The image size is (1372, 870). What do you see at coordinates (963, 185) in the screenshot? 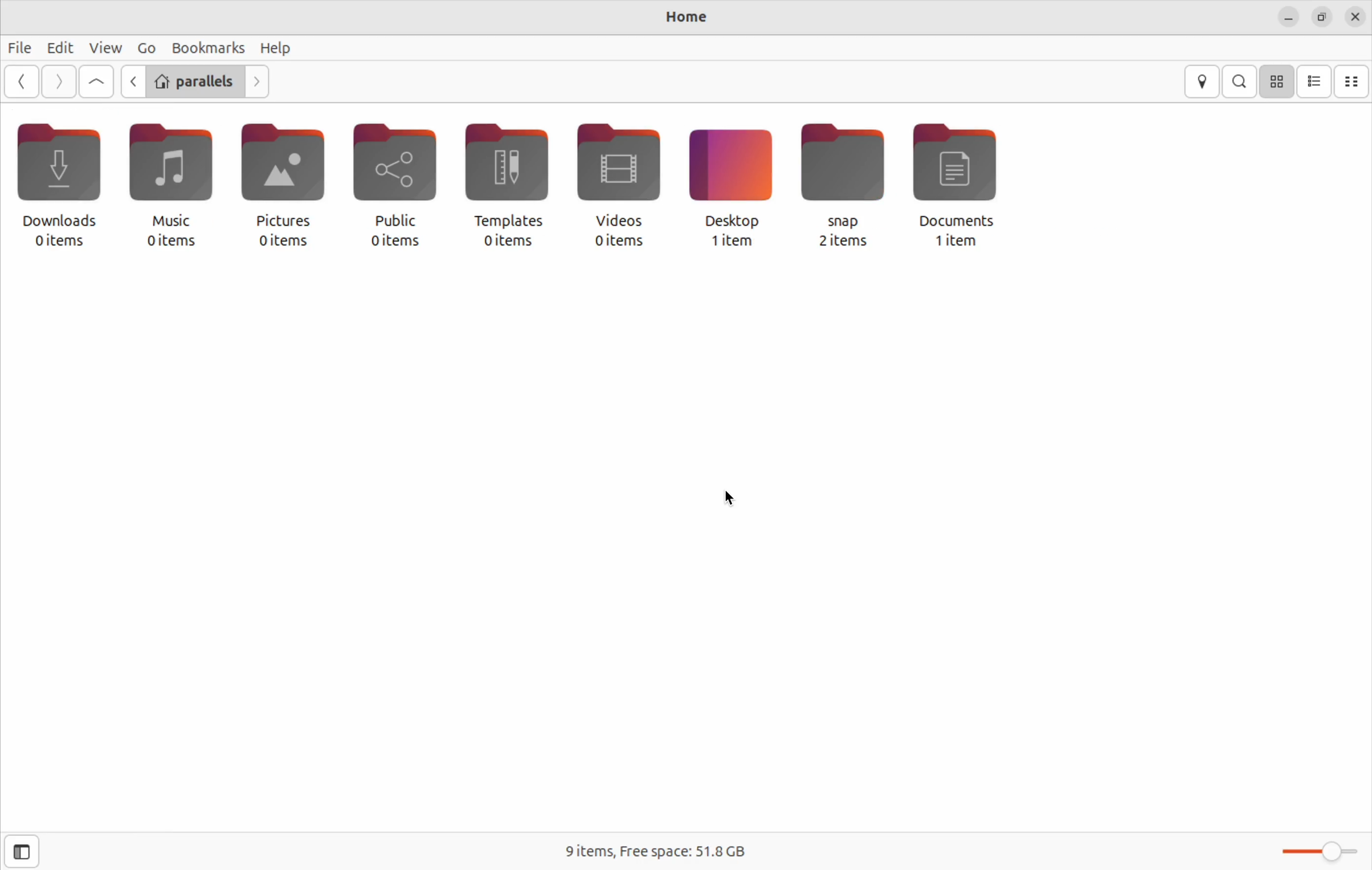
I see `Documents 1 item` at bounding box center [963, 185].